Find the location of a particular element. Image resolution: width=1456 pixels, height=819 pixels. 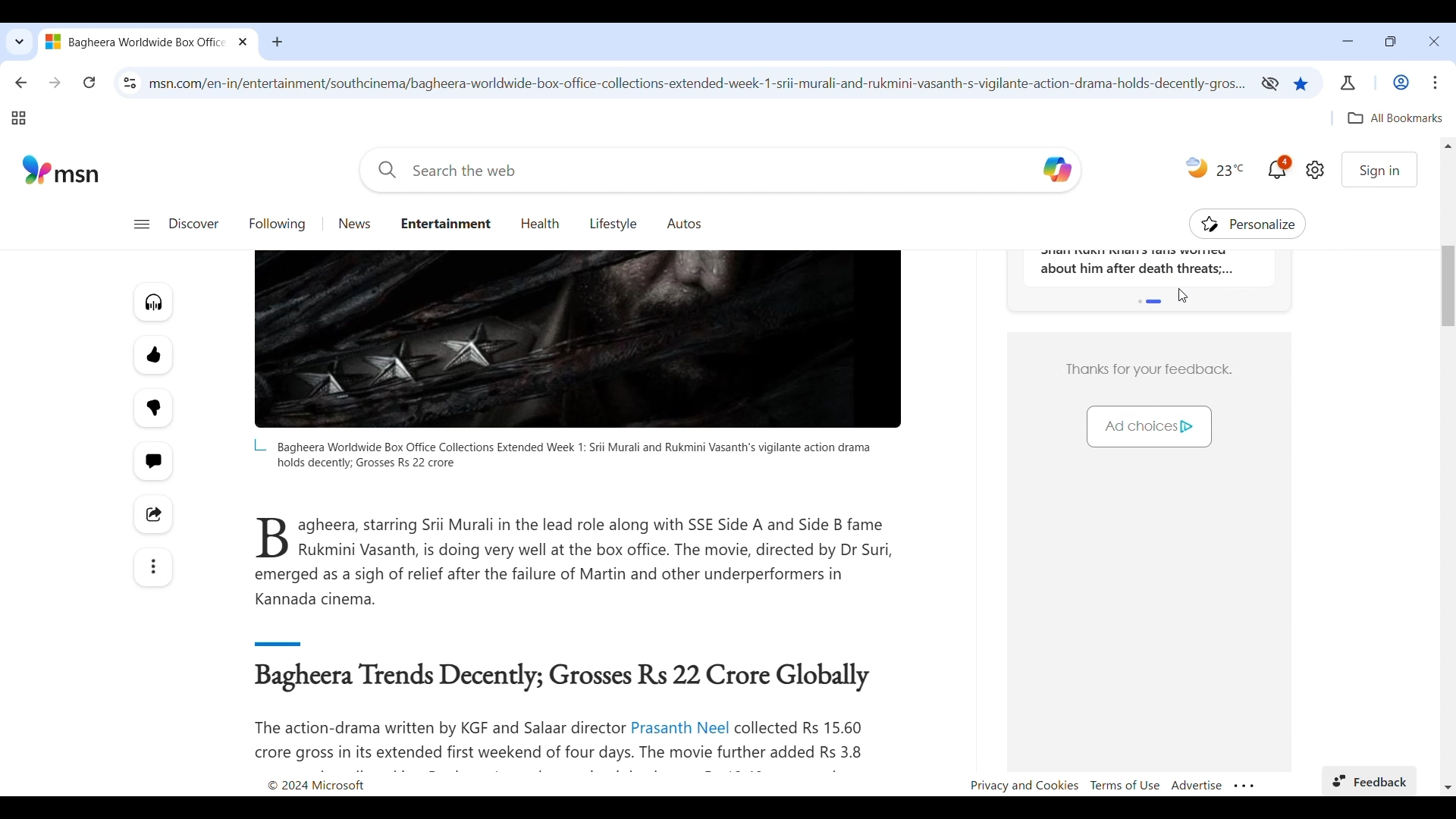

Chrome labs is located at coordinates (1348, 83).